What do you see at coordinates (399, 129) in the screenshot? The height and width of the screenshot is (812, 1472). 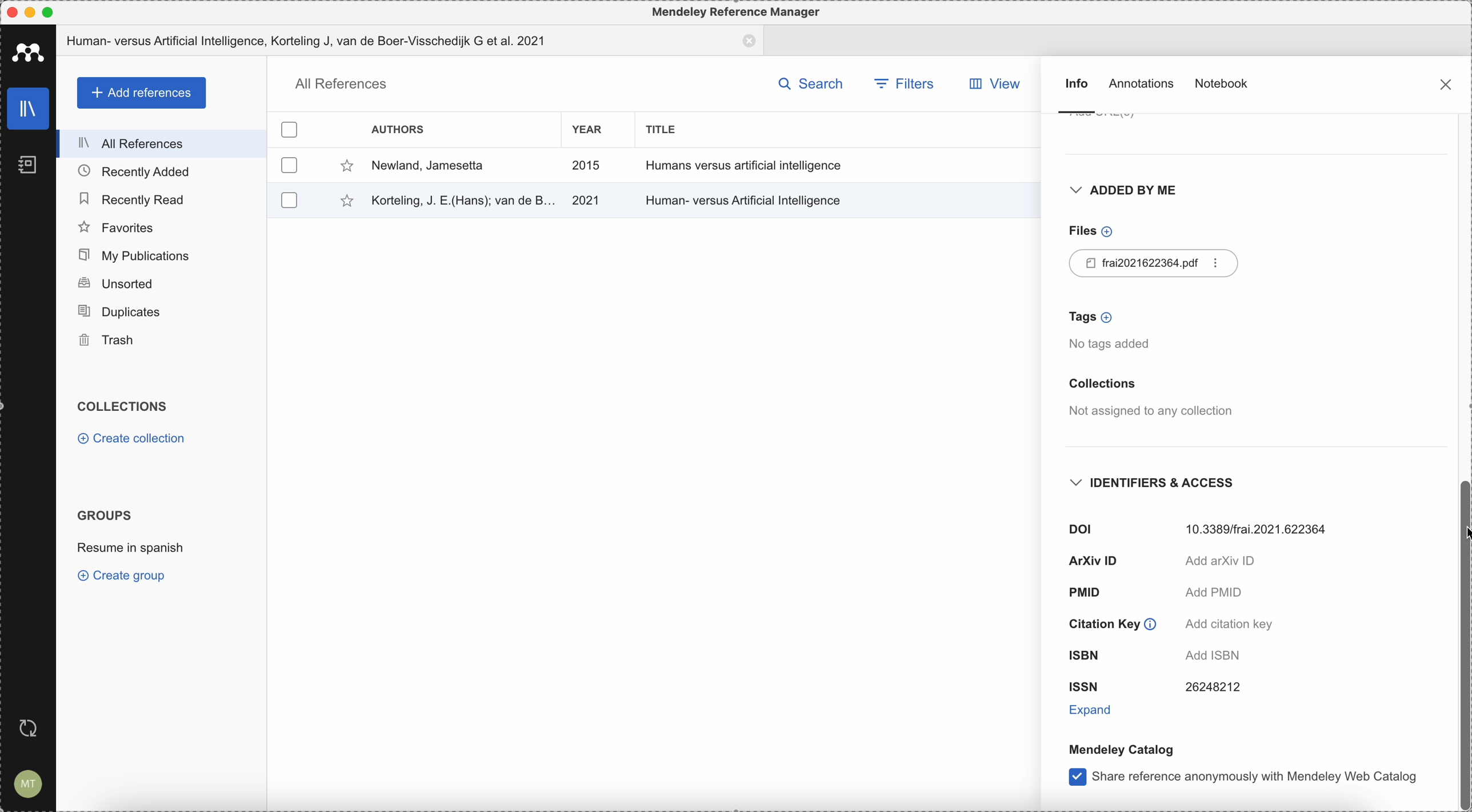 I see `authors` at bounding box center [399, 129].